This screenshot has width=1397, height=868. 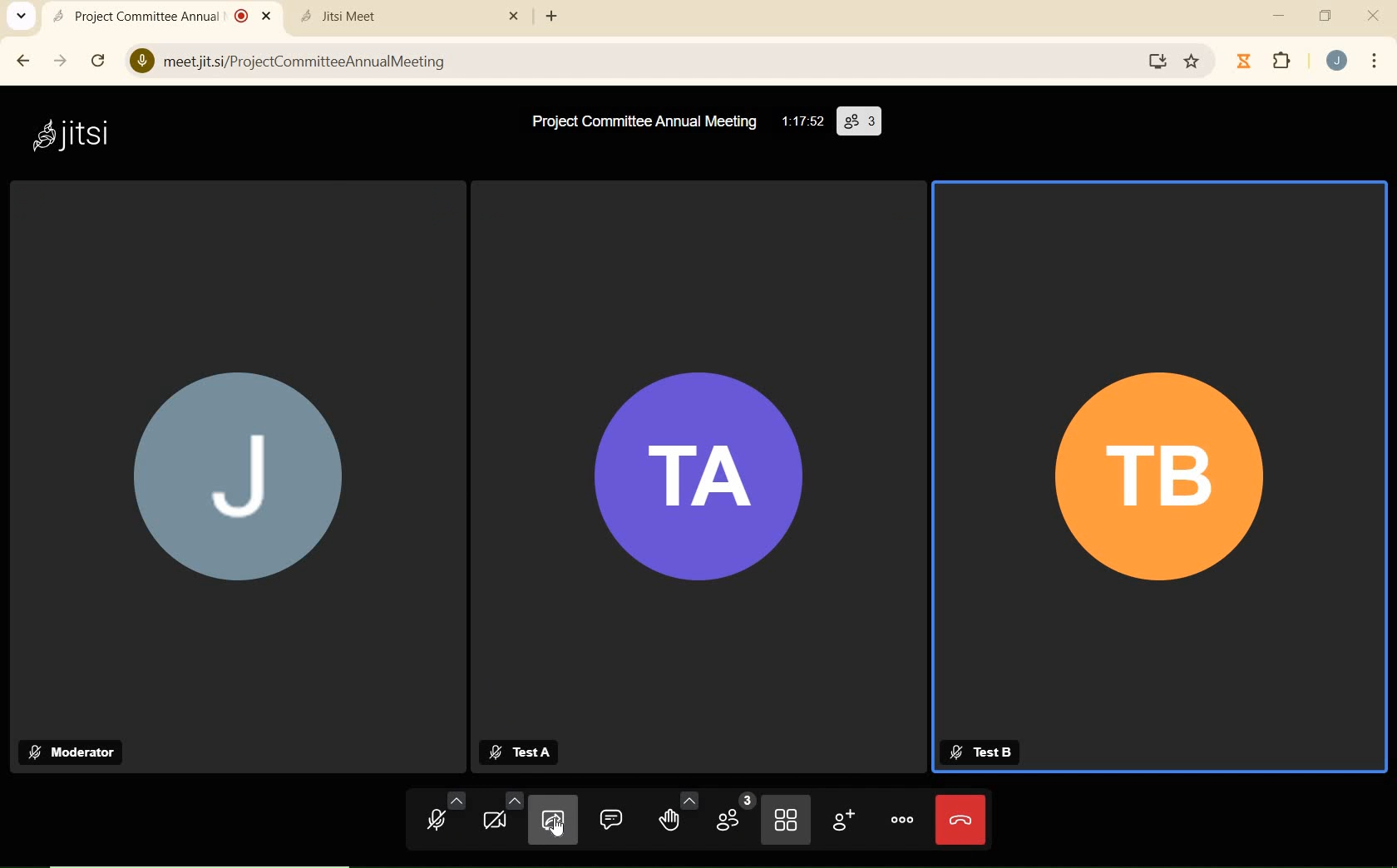 I want to click on View site information, so click(x=141, y=60).